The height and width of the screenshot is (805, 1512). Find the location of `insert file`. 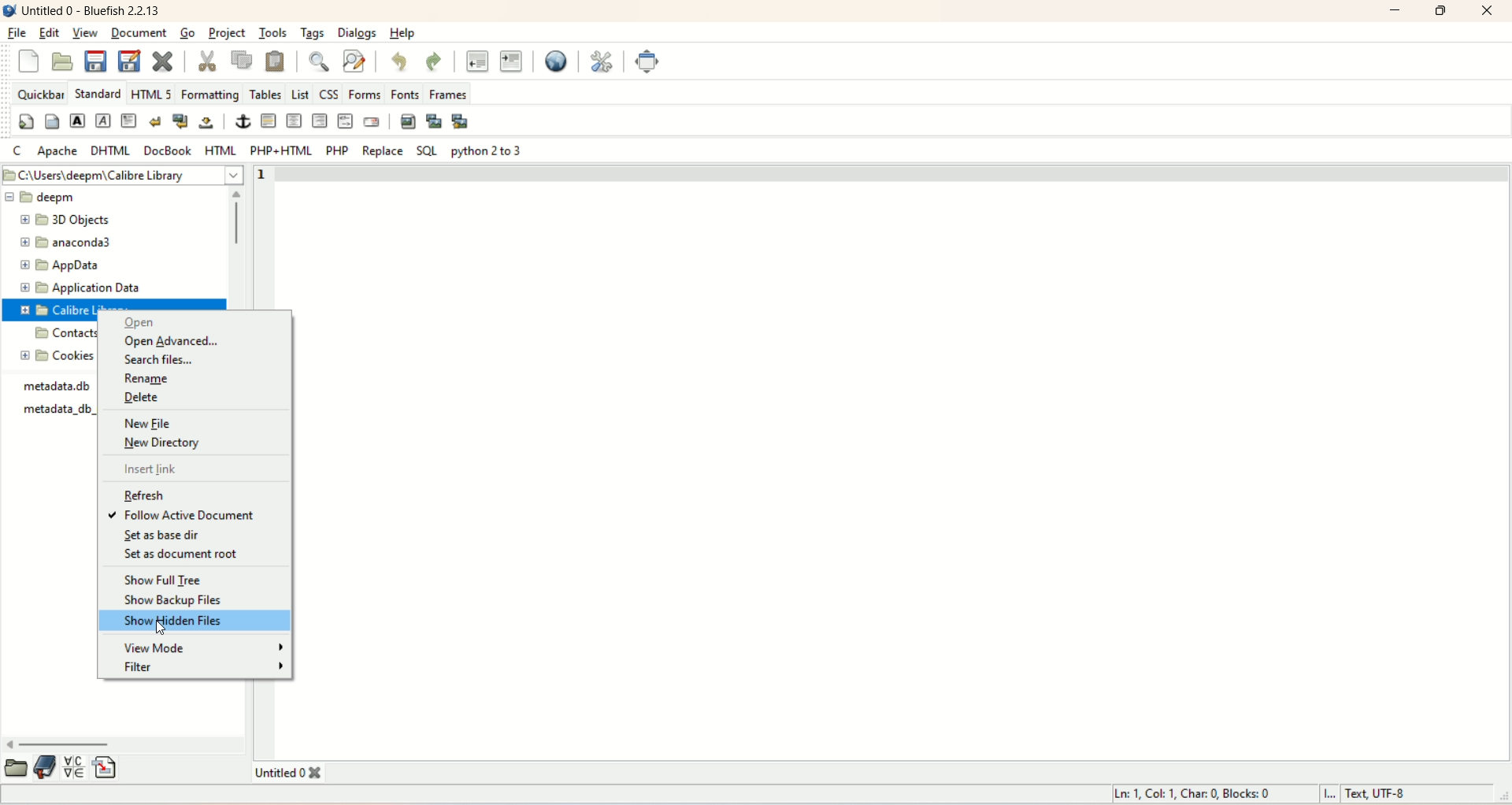

insert file is located at coordinates (106, 766).